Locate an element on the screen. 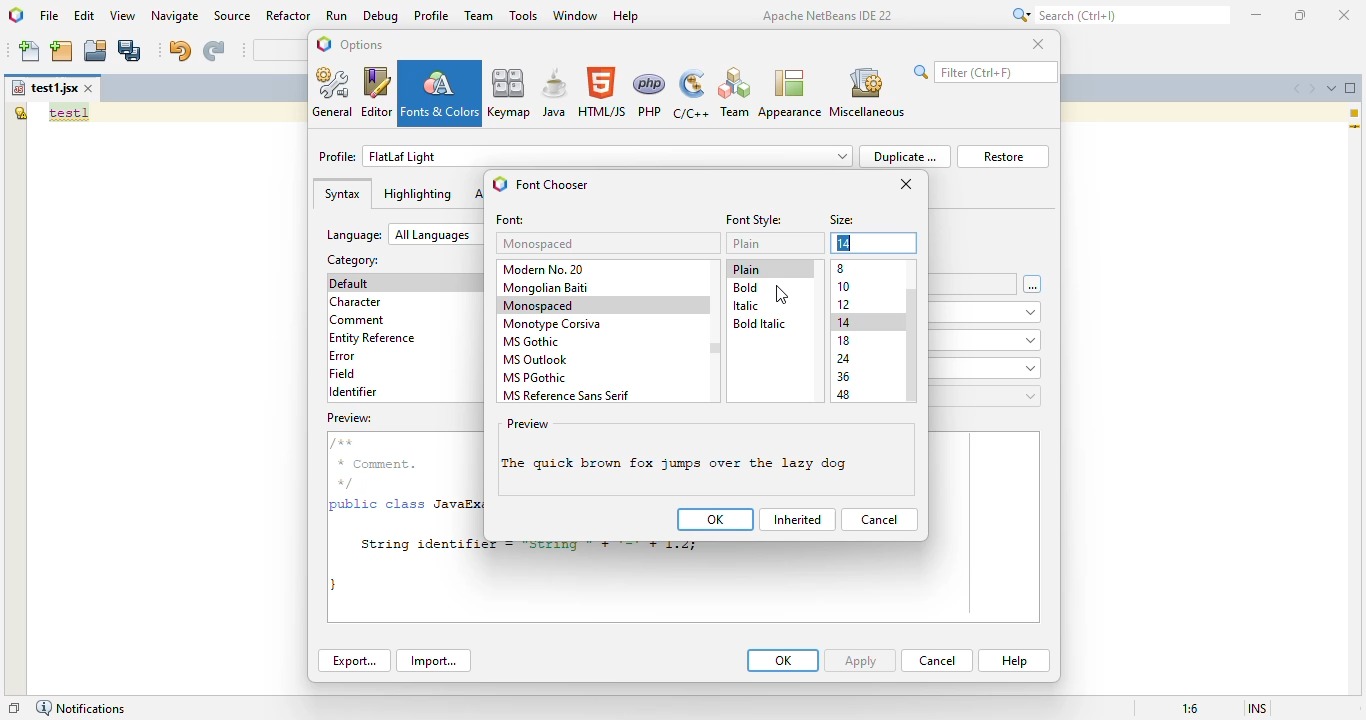 This screenshot has width=1366, height=720. MS PGothic is located at coordinates (536, 378).